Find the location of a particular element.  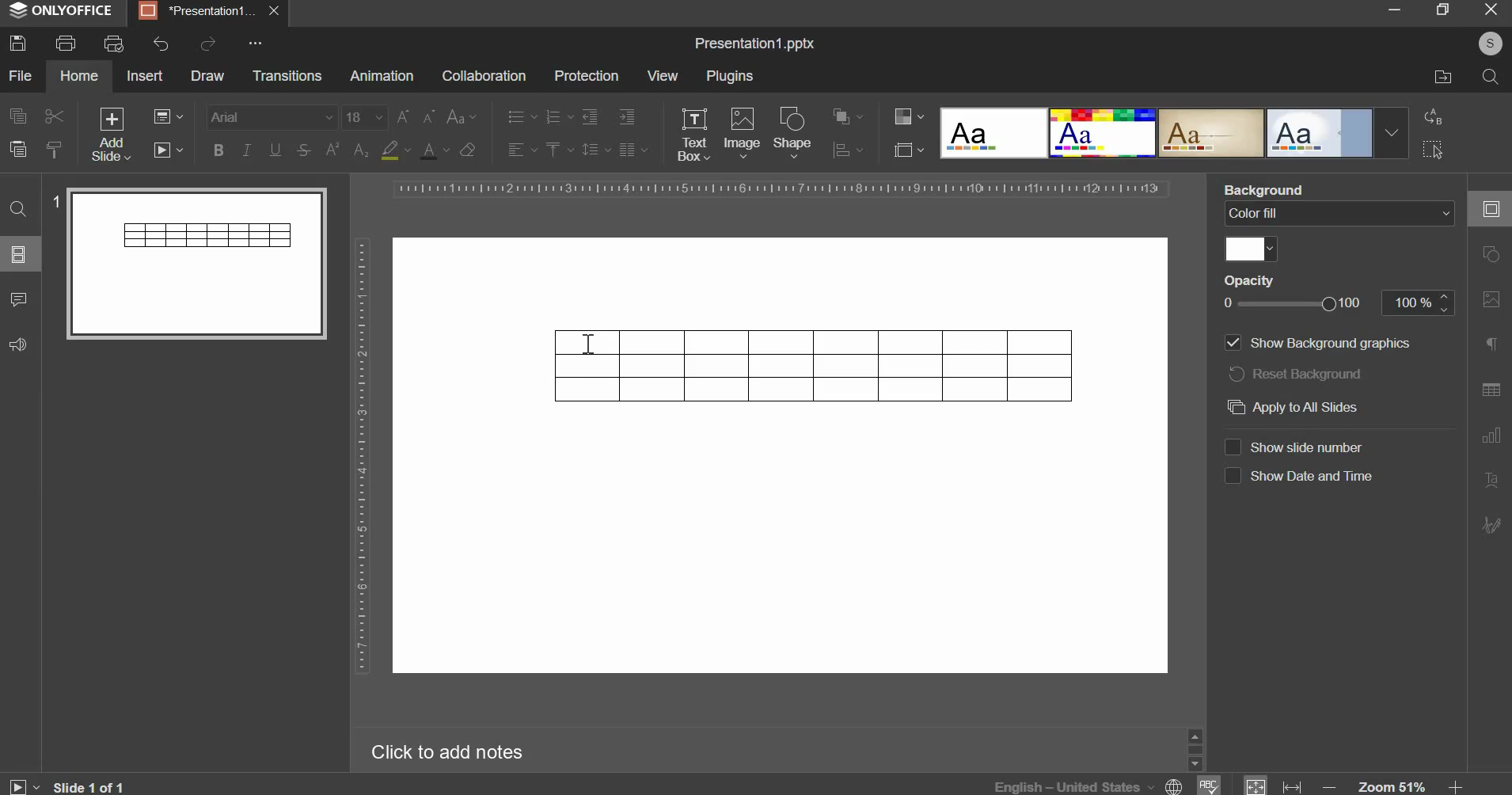

Background is located at coordinates (1276, 188).